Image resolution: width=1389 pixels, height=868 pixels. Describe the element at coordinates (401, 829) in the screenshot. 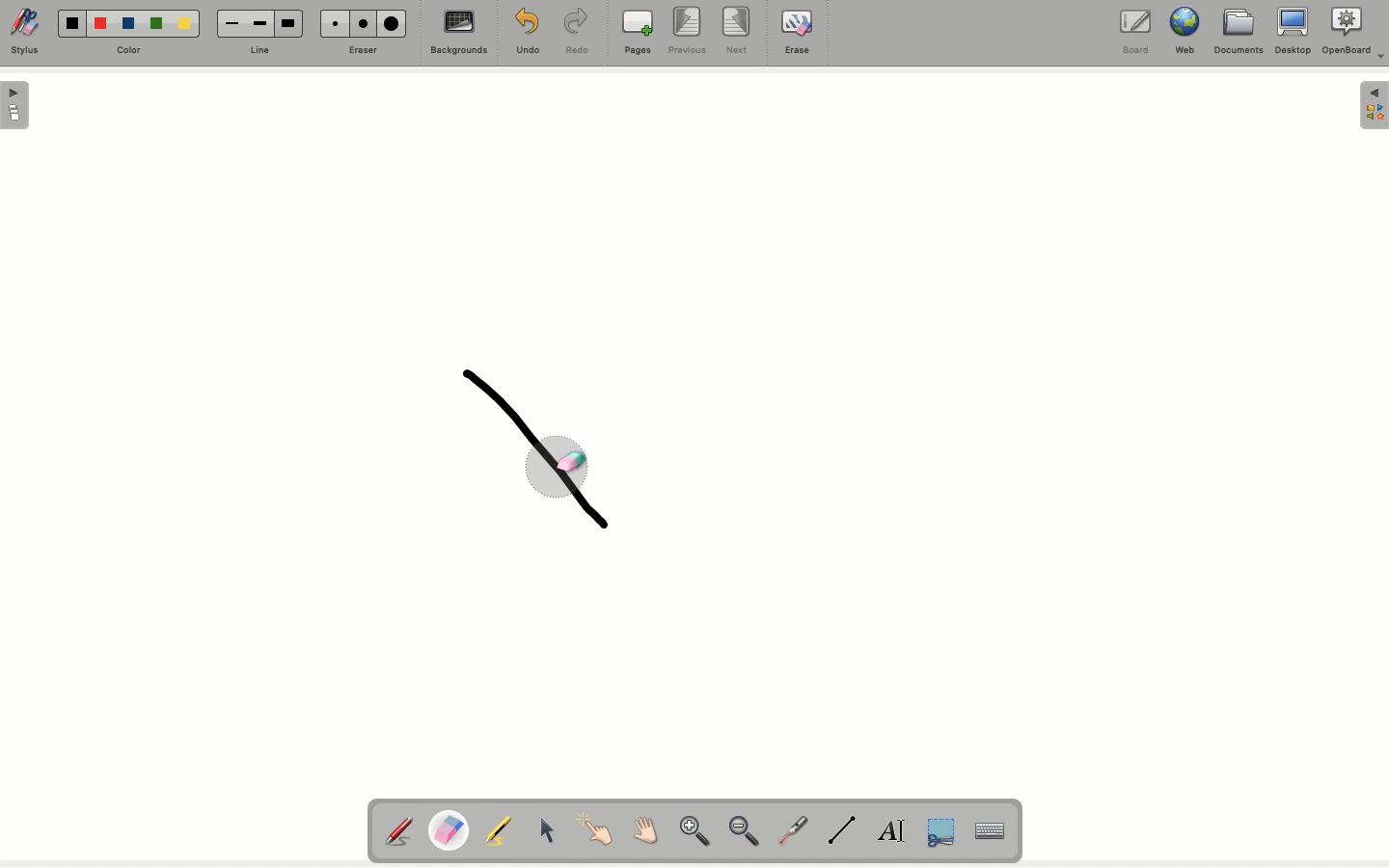

I see `Pen` at that location.